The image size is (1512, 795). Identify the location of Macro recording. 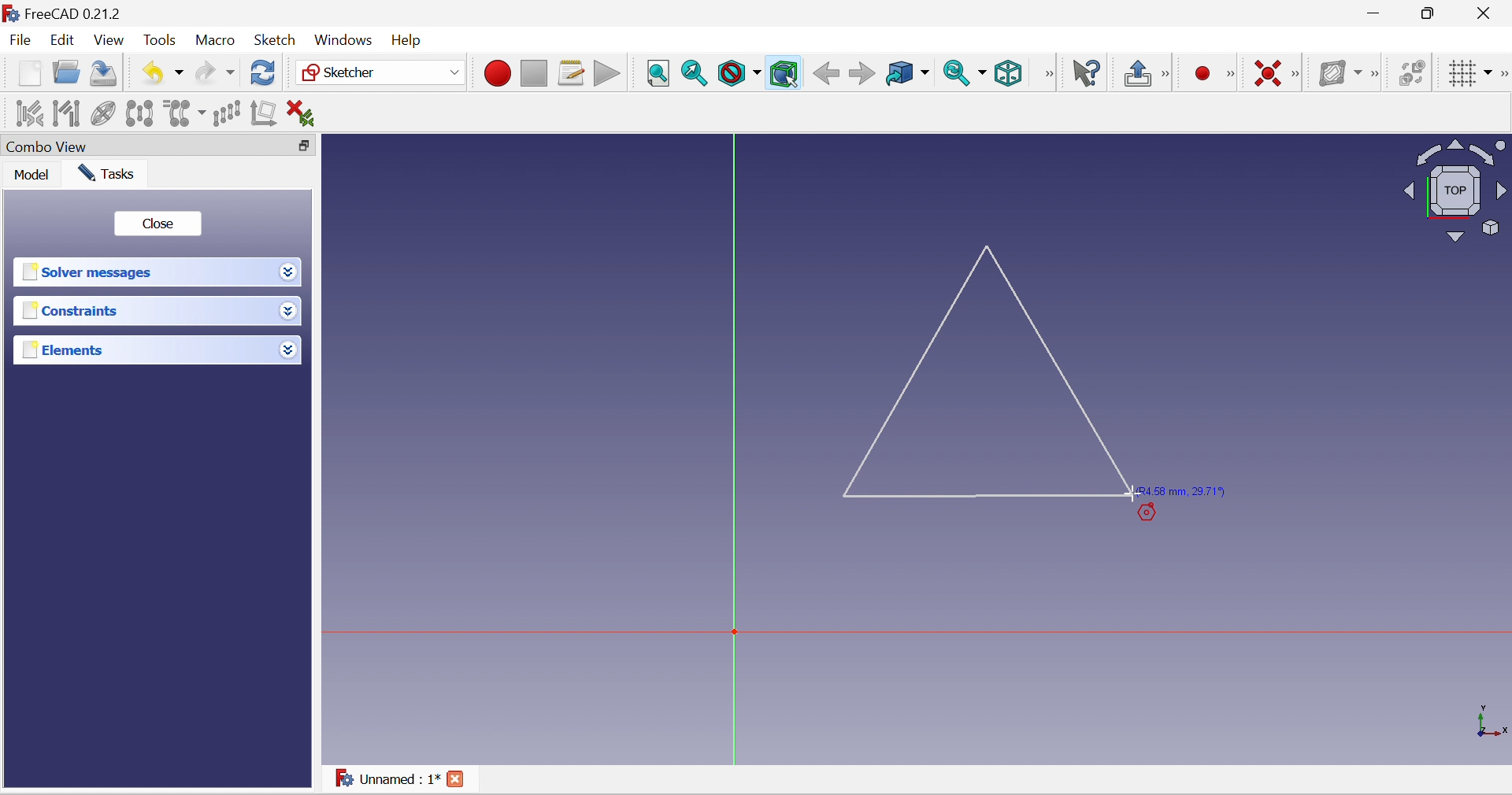
(496, 72).